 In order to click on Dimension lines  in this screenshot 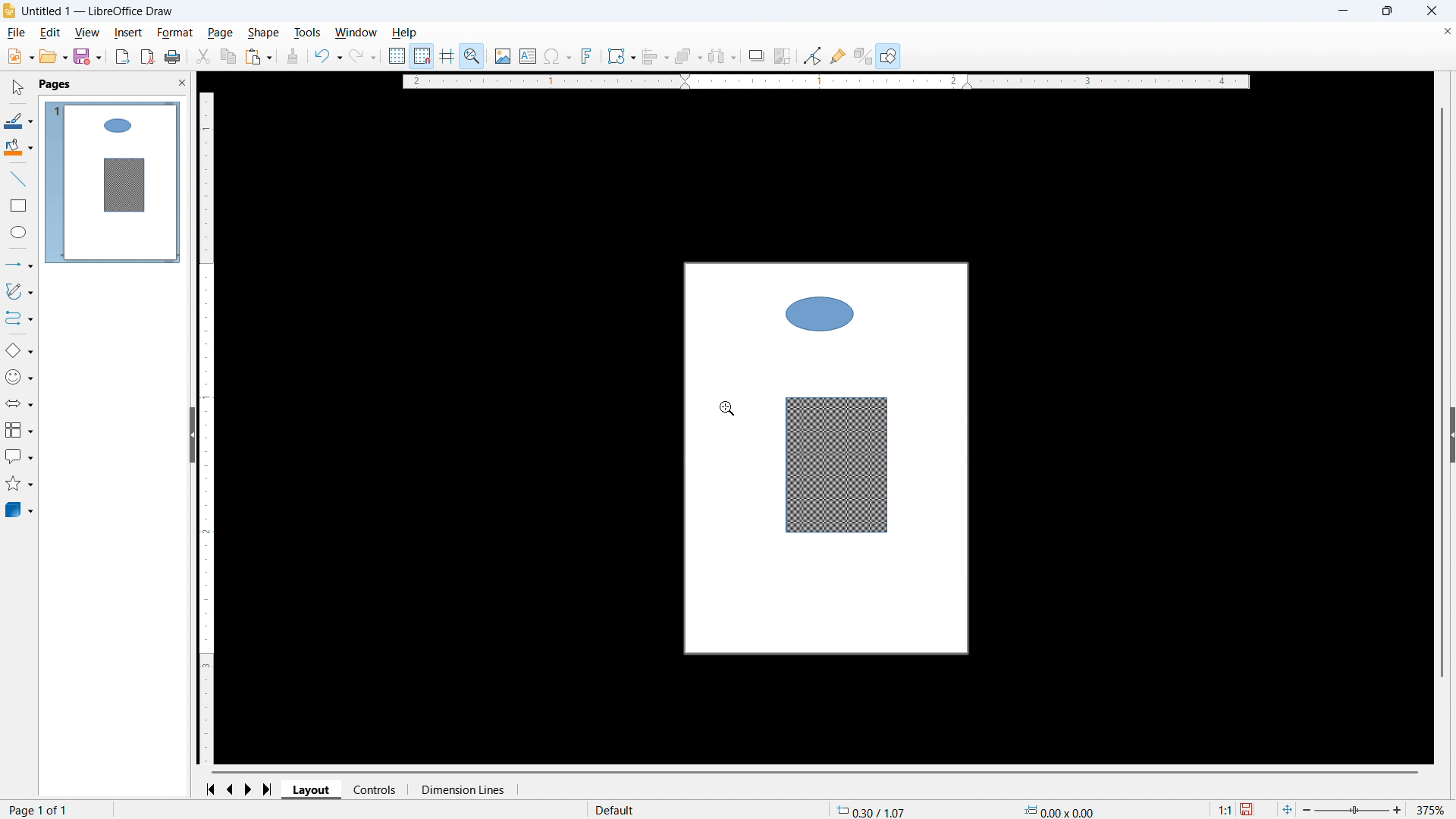, I will do `click(463, 789)`.